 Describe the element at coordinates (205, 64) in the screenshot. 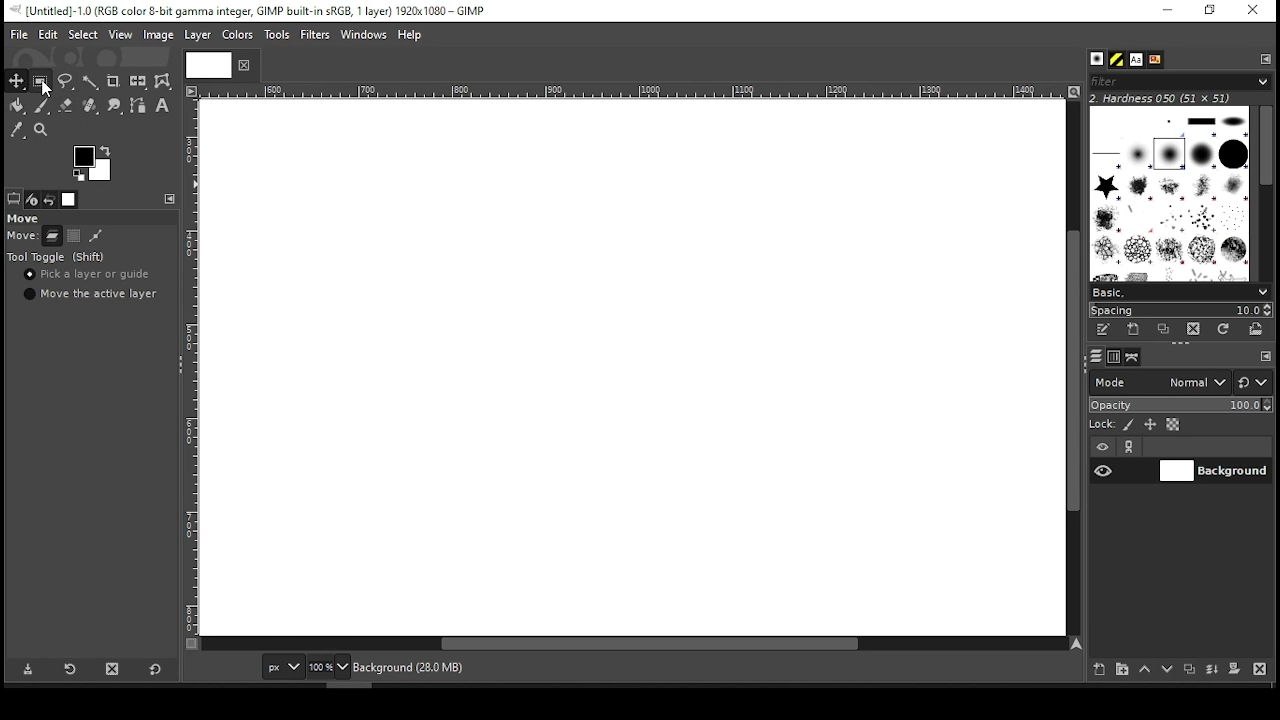

I see `` at that location.